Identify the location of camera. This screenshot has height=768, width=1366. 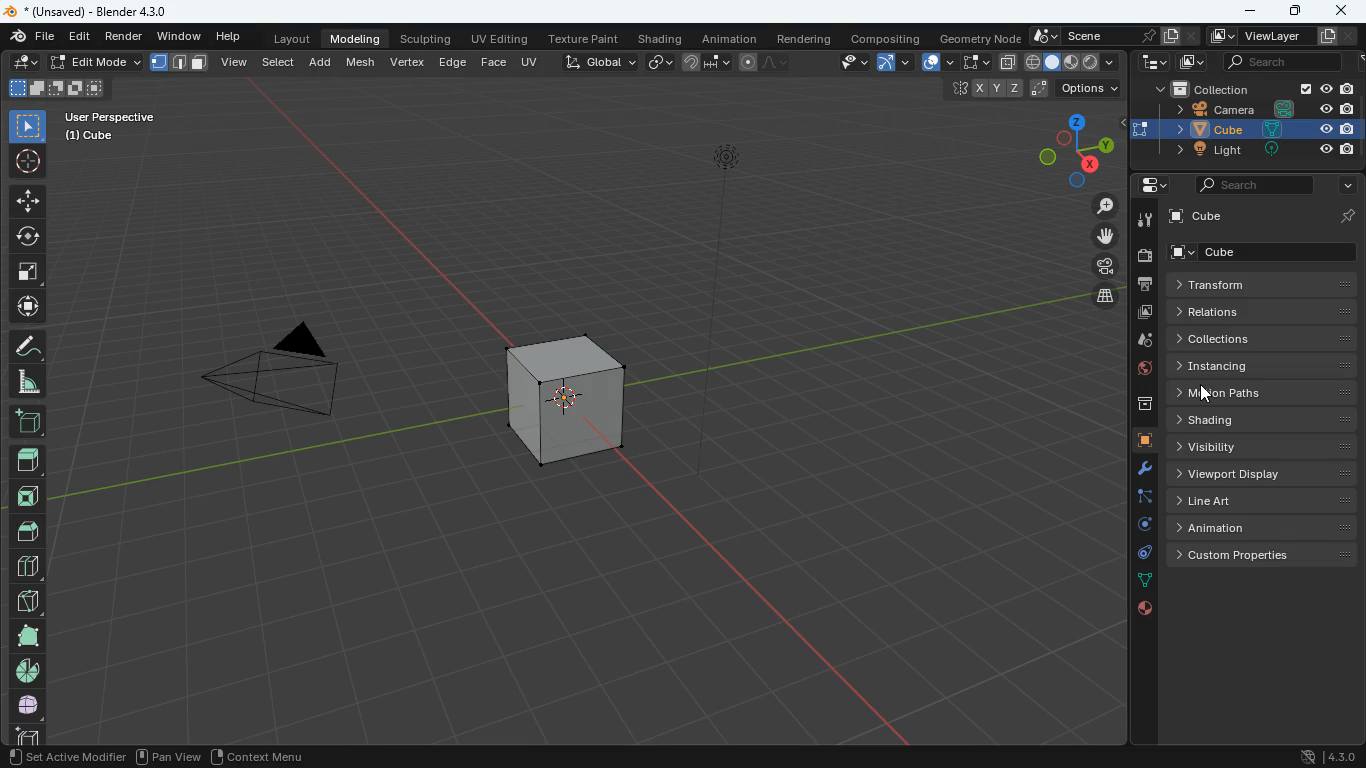
(1143, 256).